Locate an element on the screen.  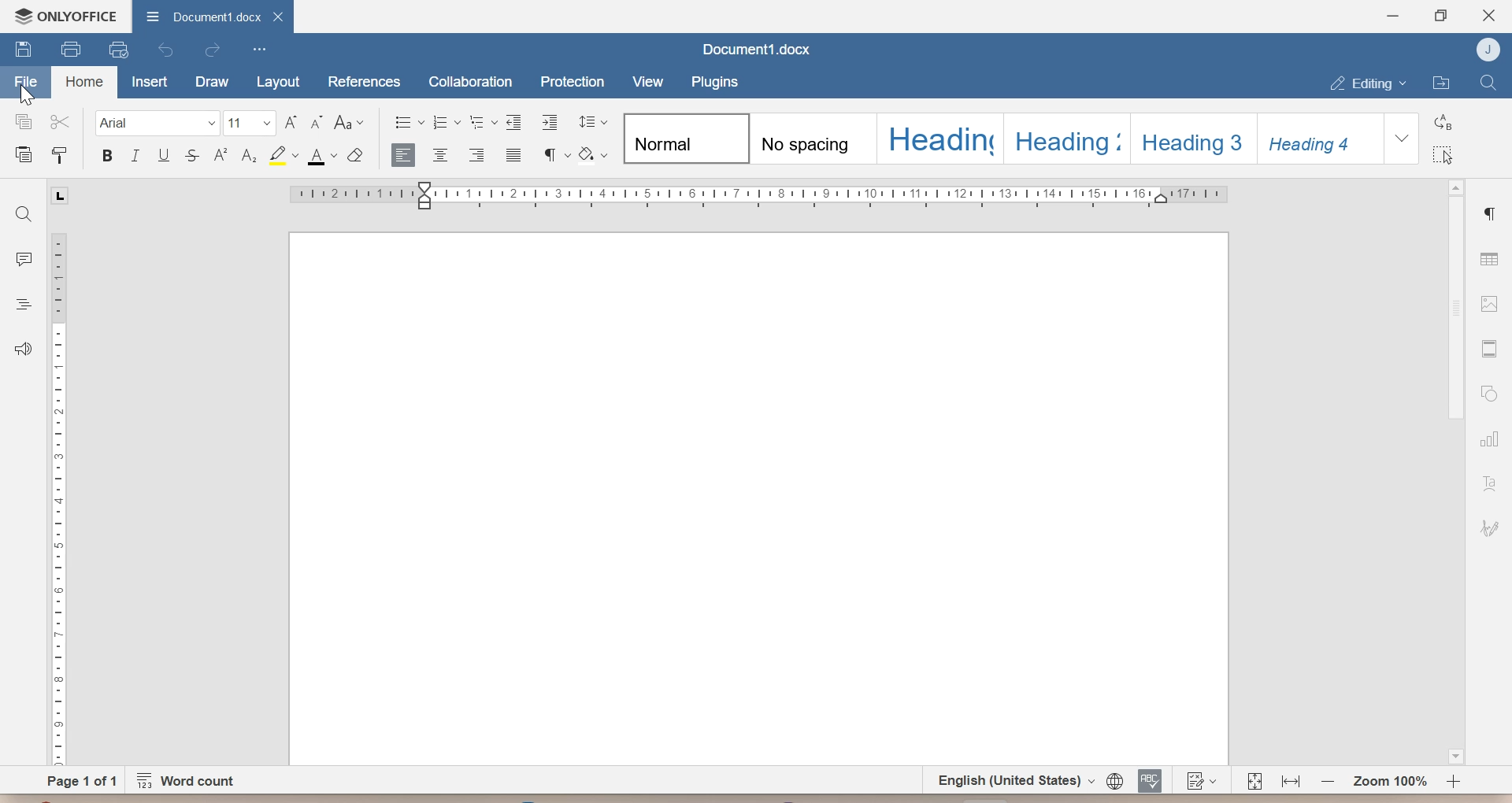
Superscript is located at coordinates (220, 157).